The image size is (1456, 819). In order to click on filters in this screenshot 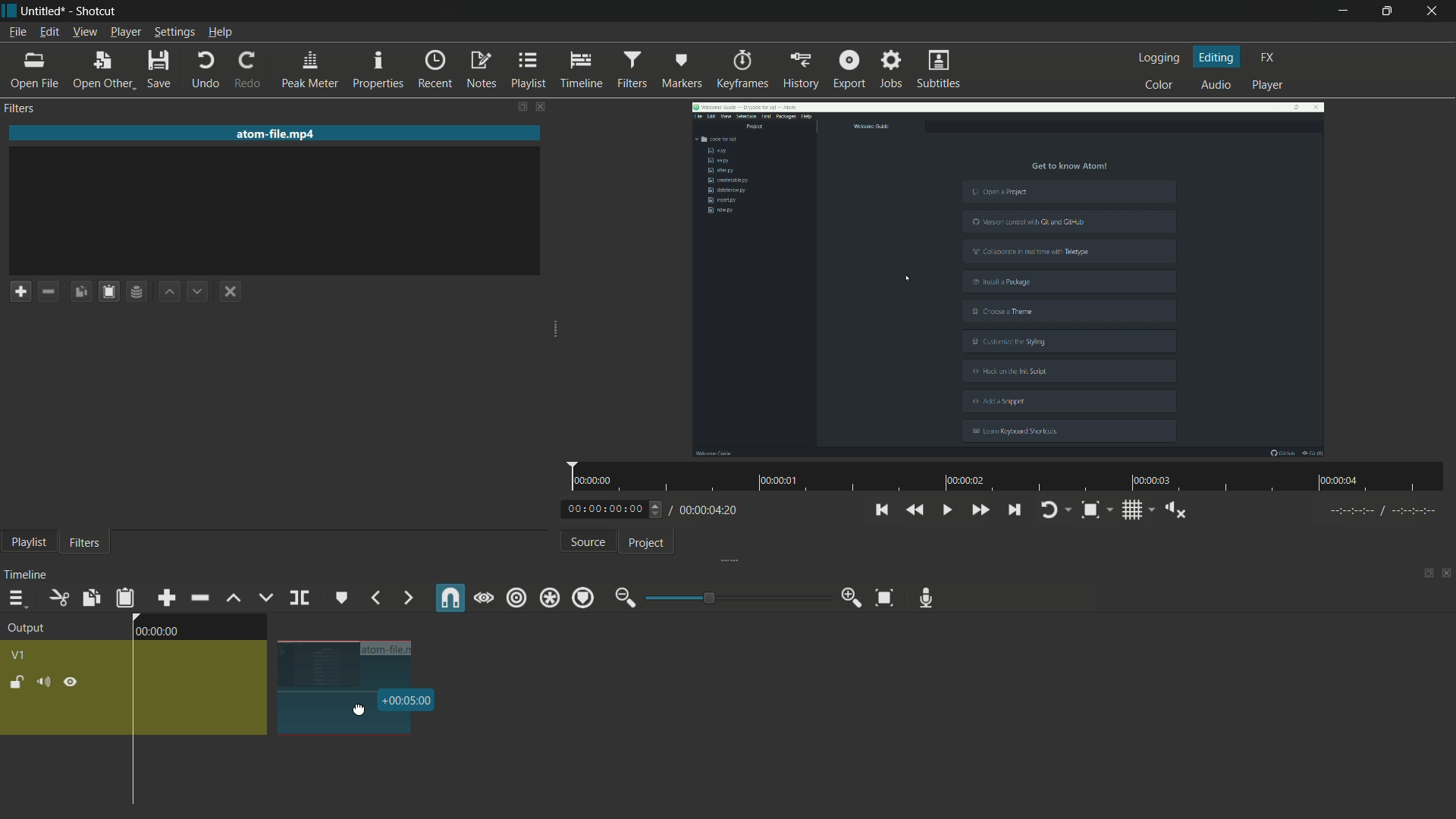, I will do `click(20, 109)`.